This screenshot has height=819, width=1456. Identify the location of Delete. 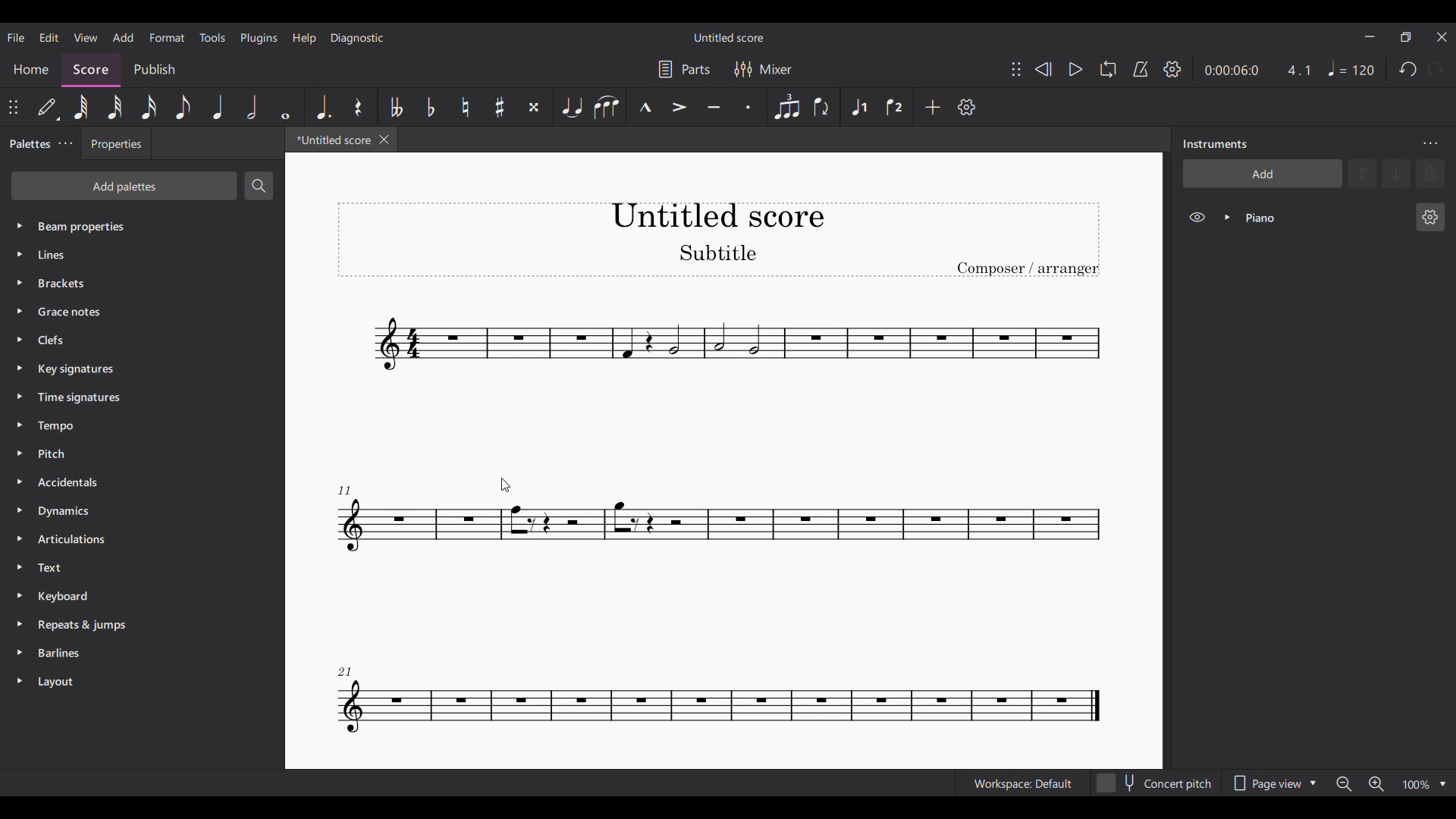
(1430, 174).